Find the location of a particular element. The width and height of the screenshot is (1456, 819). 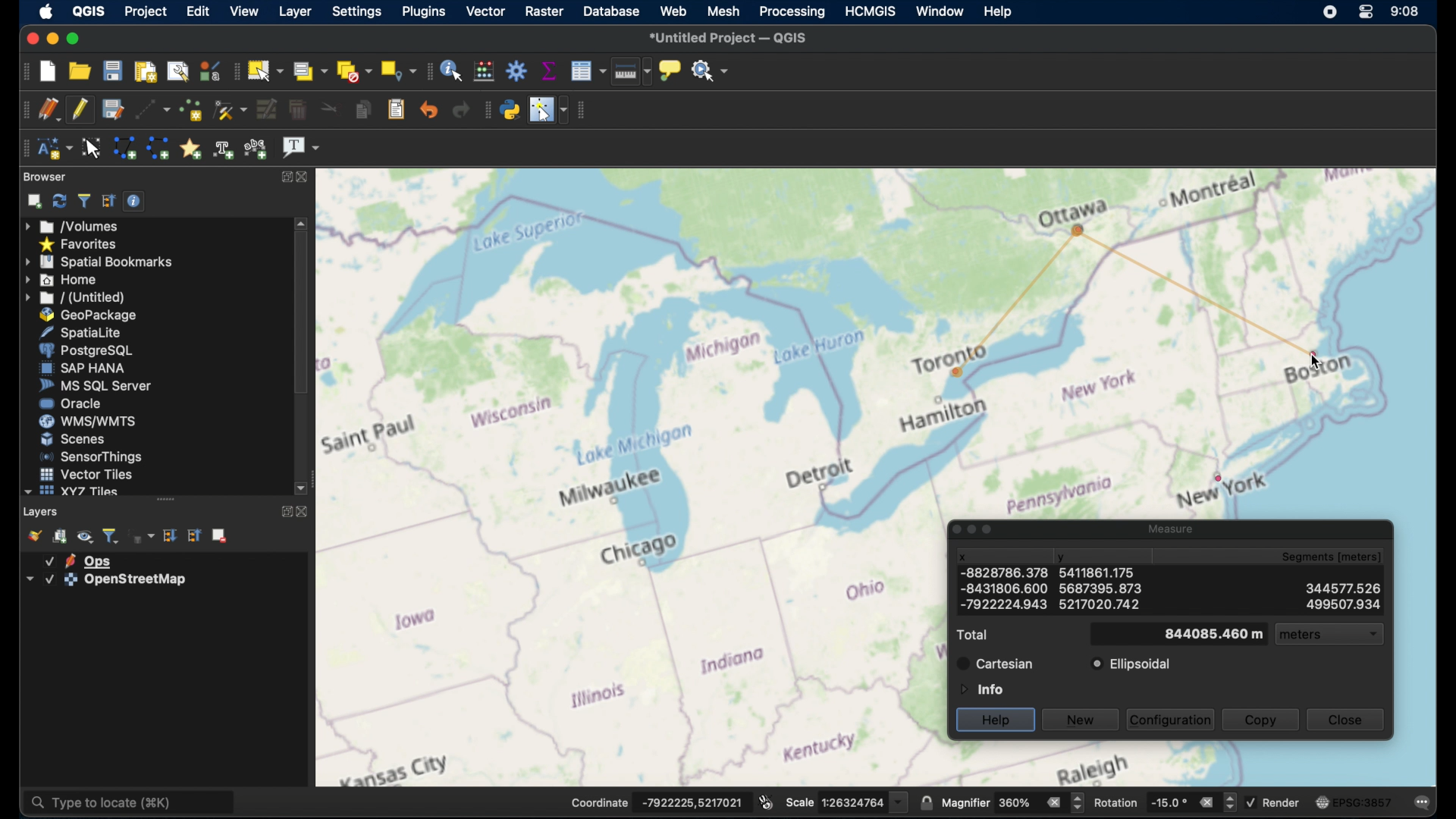

mesh is located at coordinates (723, 11).